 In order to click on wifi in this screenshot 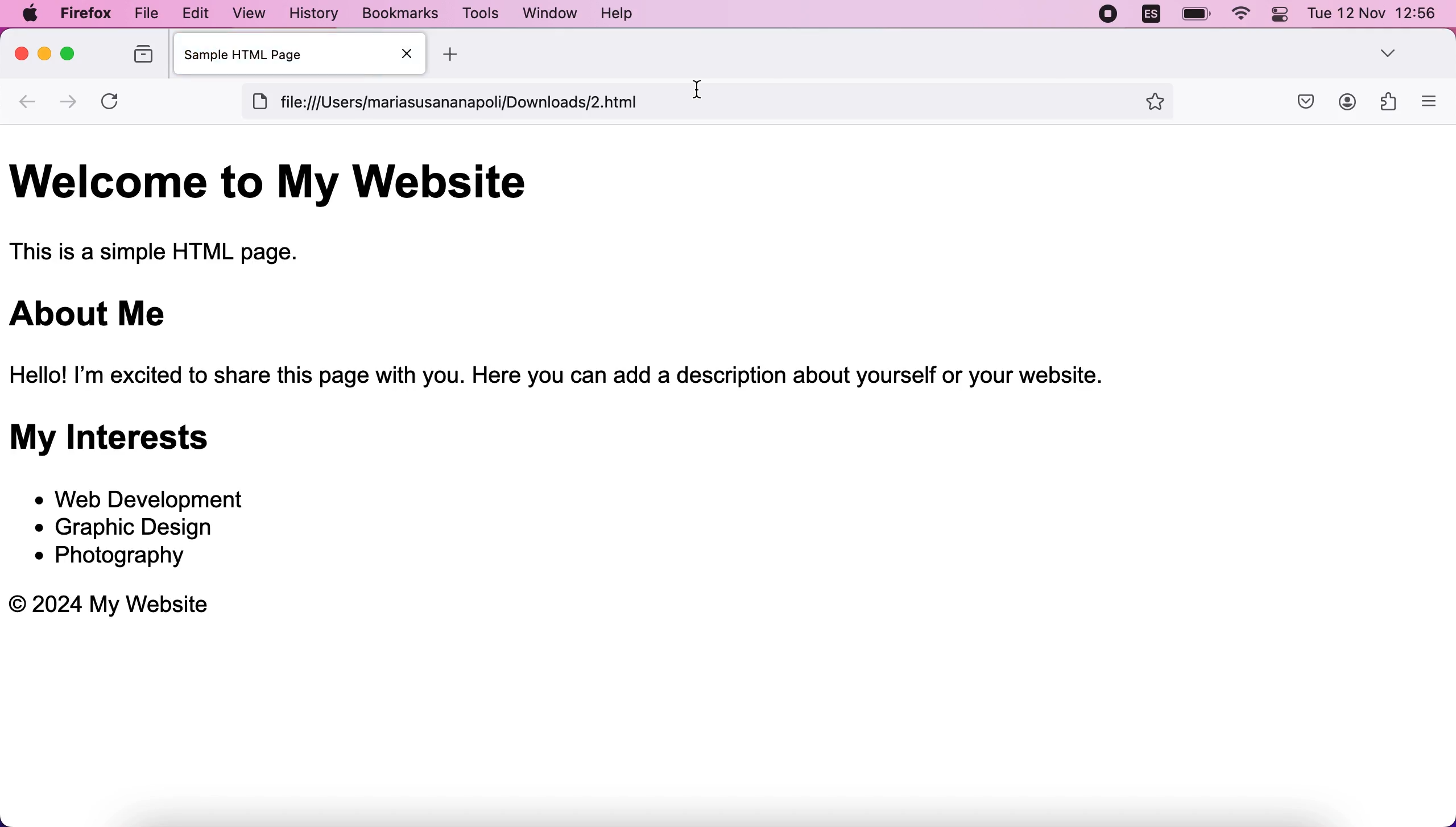, I will do `click(1240, 15)`.